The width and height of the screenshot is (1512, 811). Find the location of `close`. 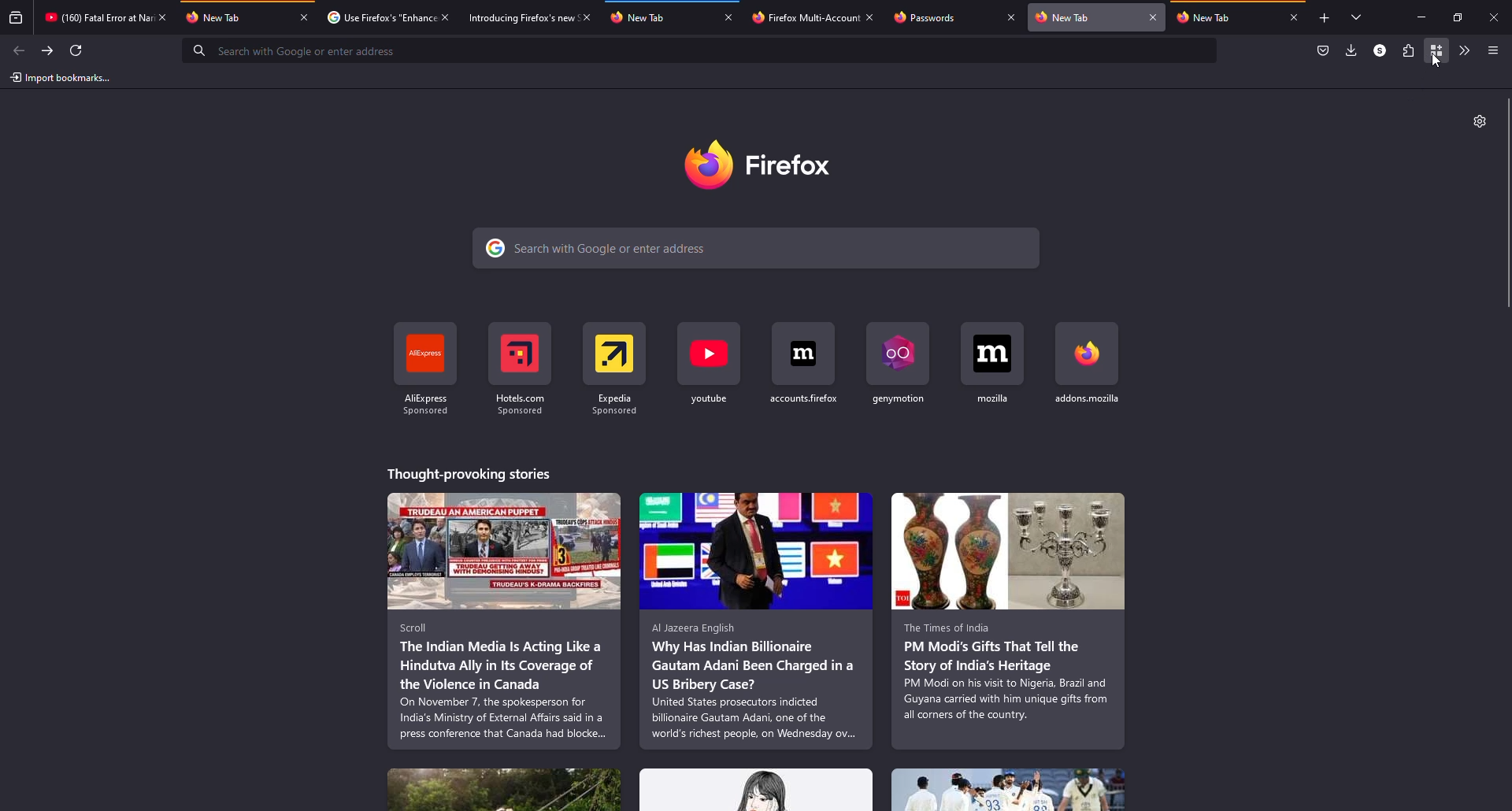

close is located at coordinates (1011, 19).